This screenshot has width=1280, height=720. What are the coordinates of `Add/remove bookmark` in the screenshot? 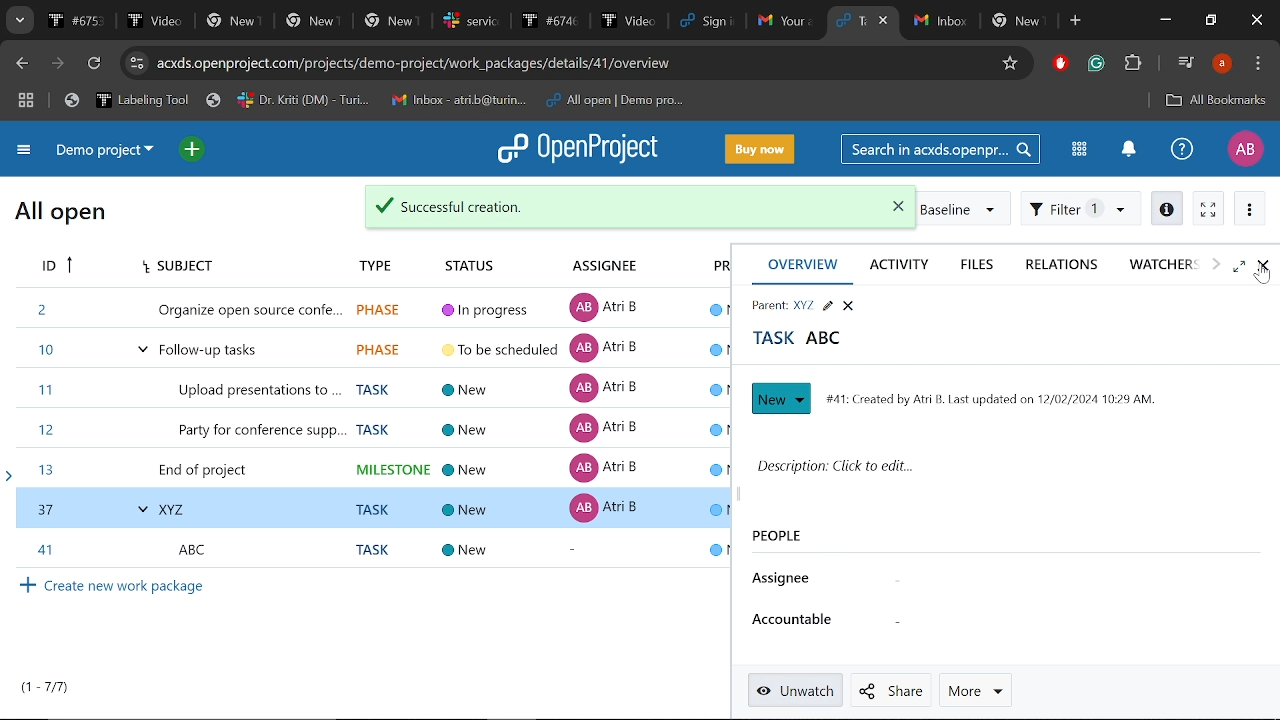 It's located at (1007, 65).